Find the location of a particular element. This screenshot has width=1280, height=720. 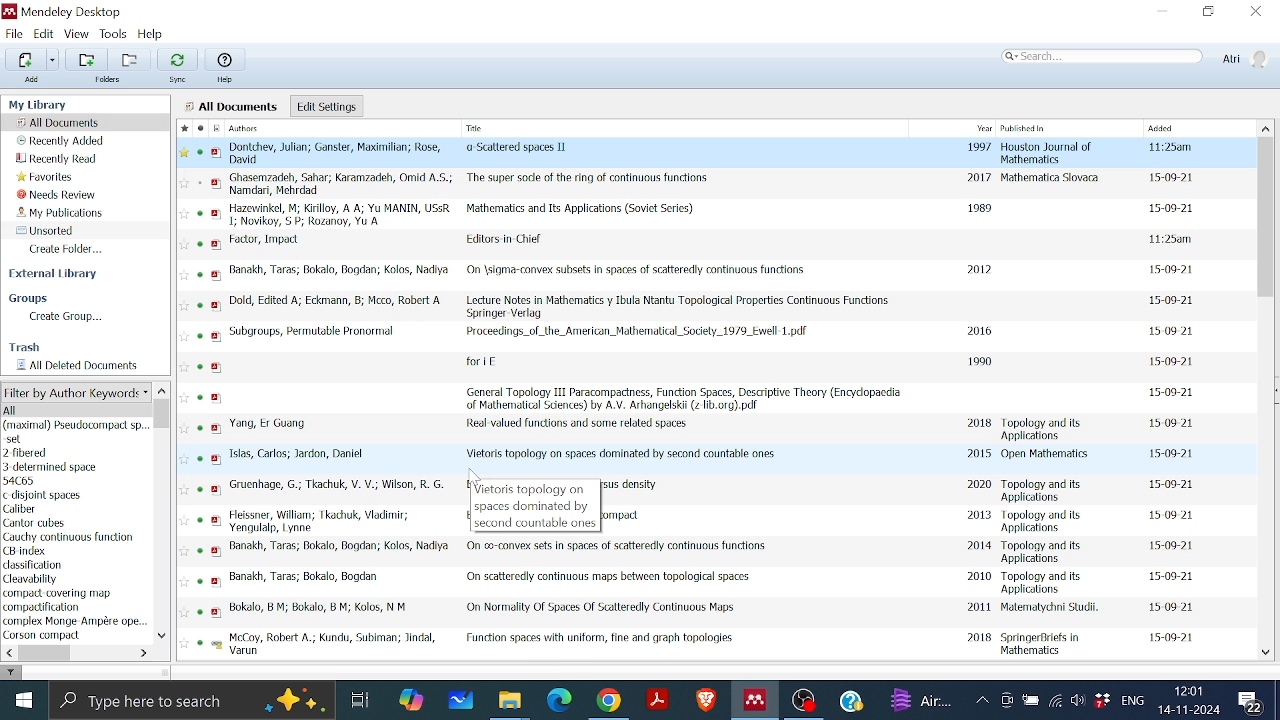

pdf is located at coordinates (220, 553).